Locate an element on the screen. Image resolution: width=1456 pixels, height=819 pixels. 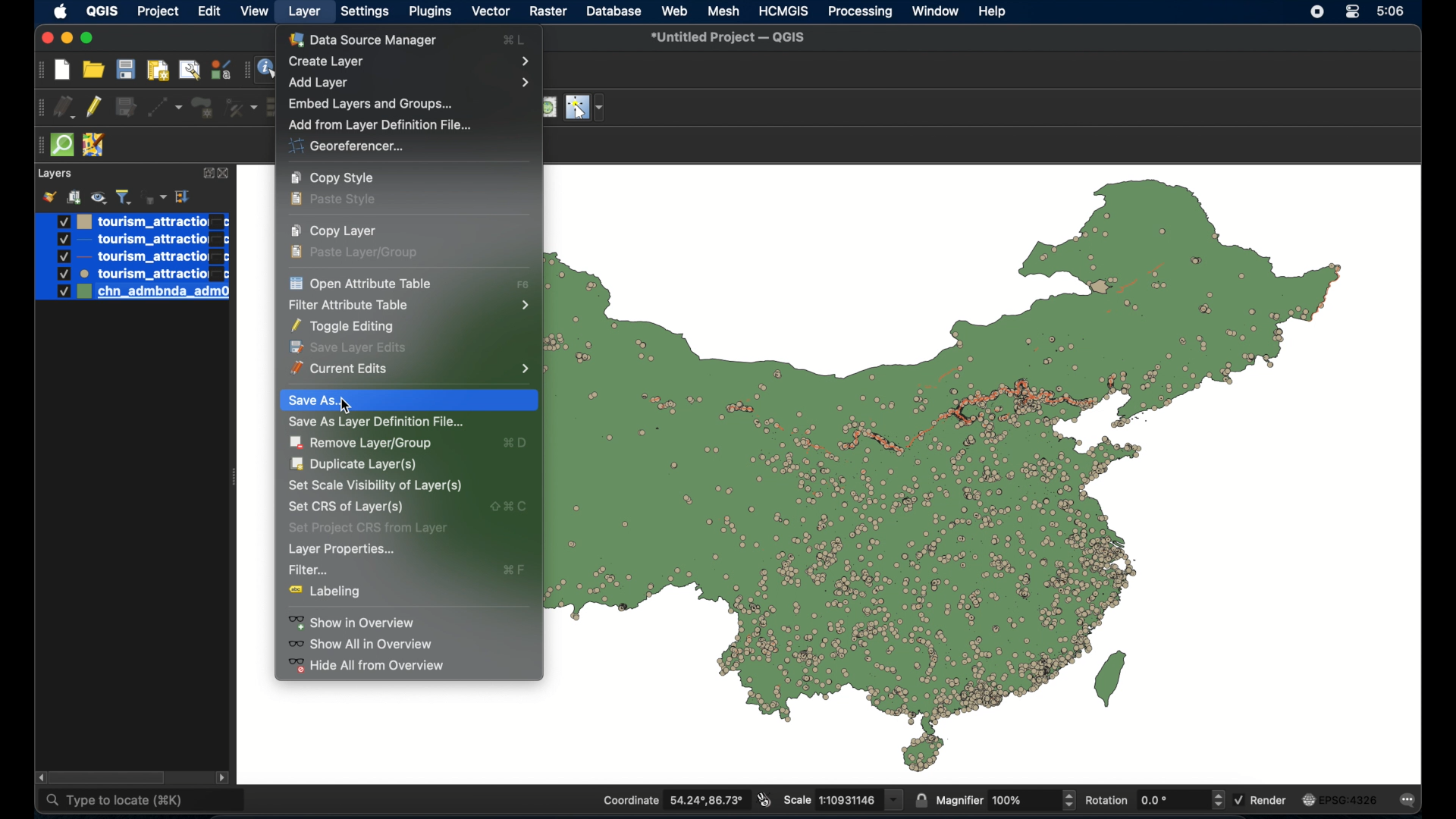
scroll right arrow is located at coordinates (222, 777).